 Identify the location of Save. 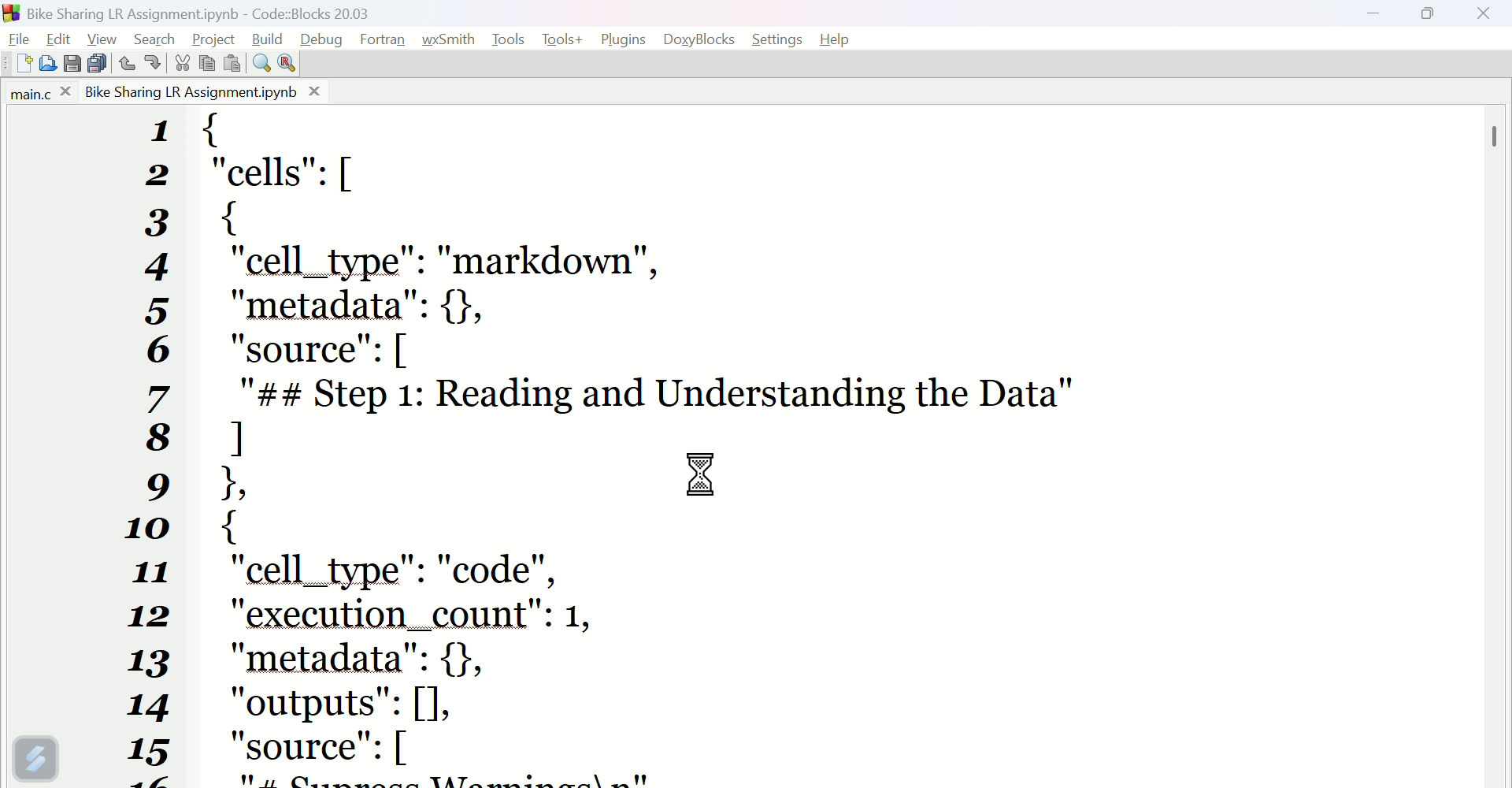
(70, 64).